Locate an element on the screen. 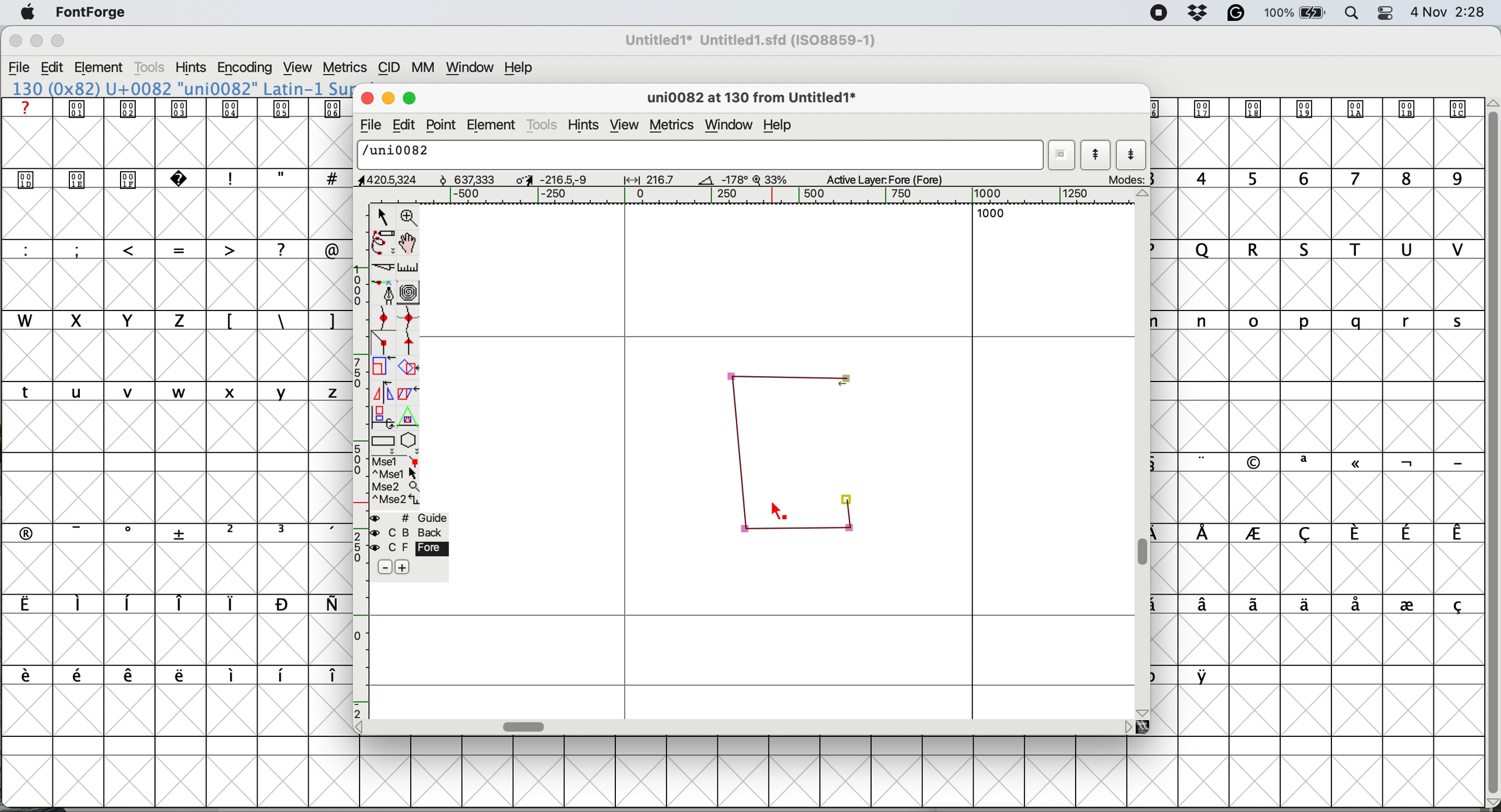 The image size is (1501, 812). tools is located at coordinates (543, 126).